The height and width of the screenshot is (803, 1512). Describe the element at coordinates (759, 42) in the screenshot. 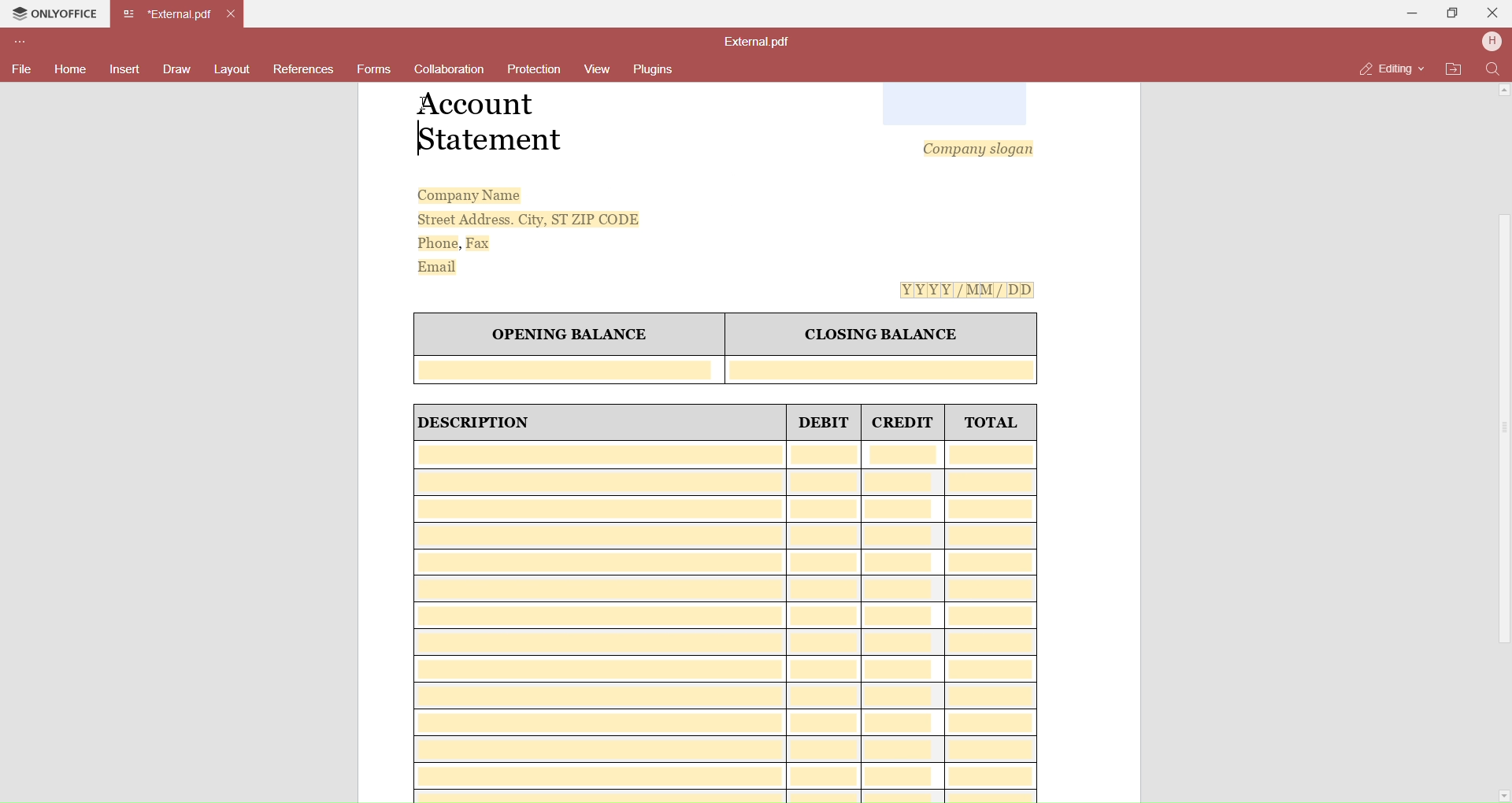

I see `File name` at that location.